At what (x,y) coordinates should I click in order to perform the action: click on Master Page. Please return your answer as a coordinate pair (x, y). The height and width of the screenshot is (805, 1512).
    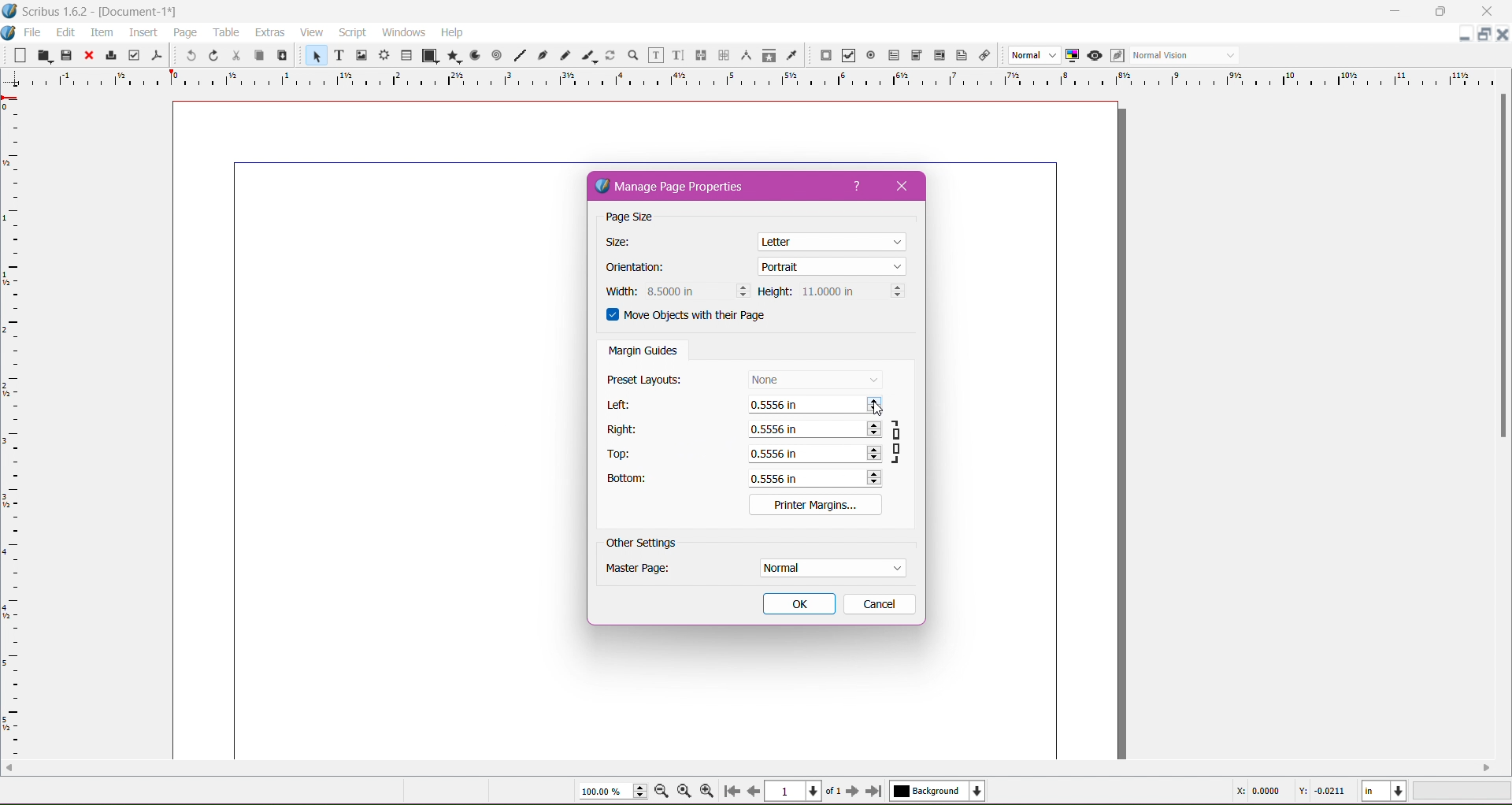
    Looking at the image, I should click on (648, 571).